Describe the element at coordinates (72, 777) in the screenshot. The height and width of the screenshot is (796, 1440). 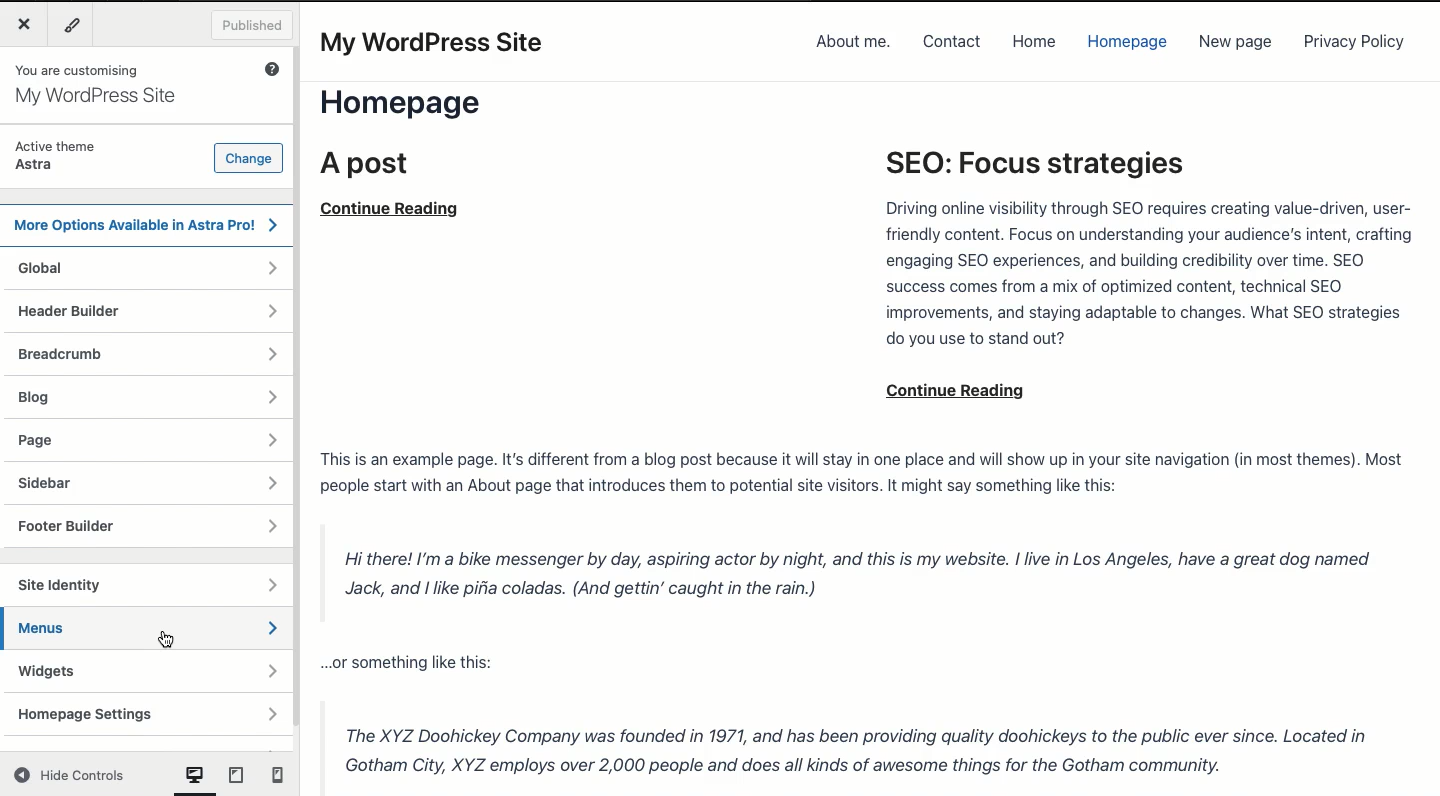
I see `Hide controls` at that location.